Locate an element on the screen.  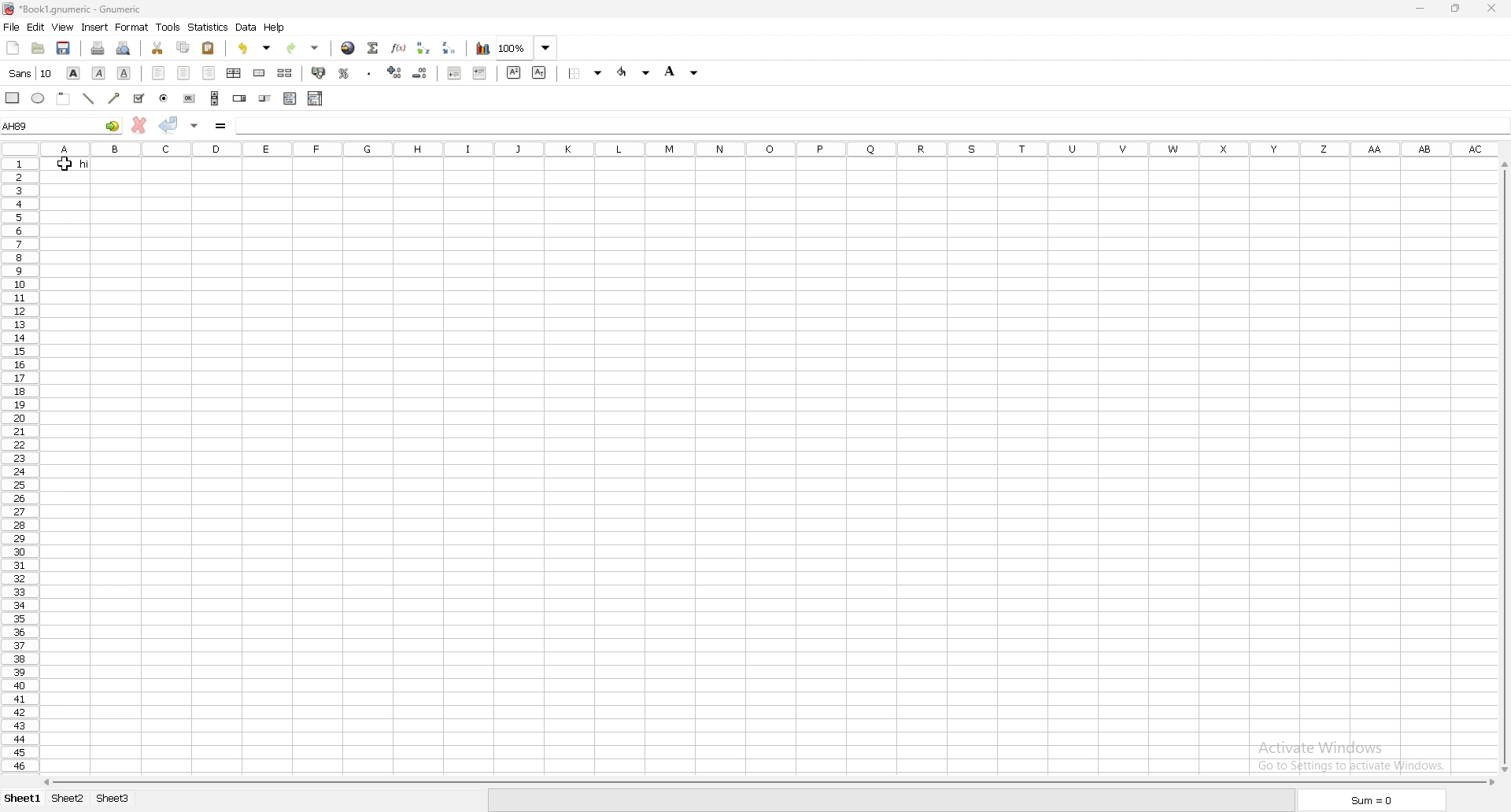
radio button is located at coordinates (165, 99).